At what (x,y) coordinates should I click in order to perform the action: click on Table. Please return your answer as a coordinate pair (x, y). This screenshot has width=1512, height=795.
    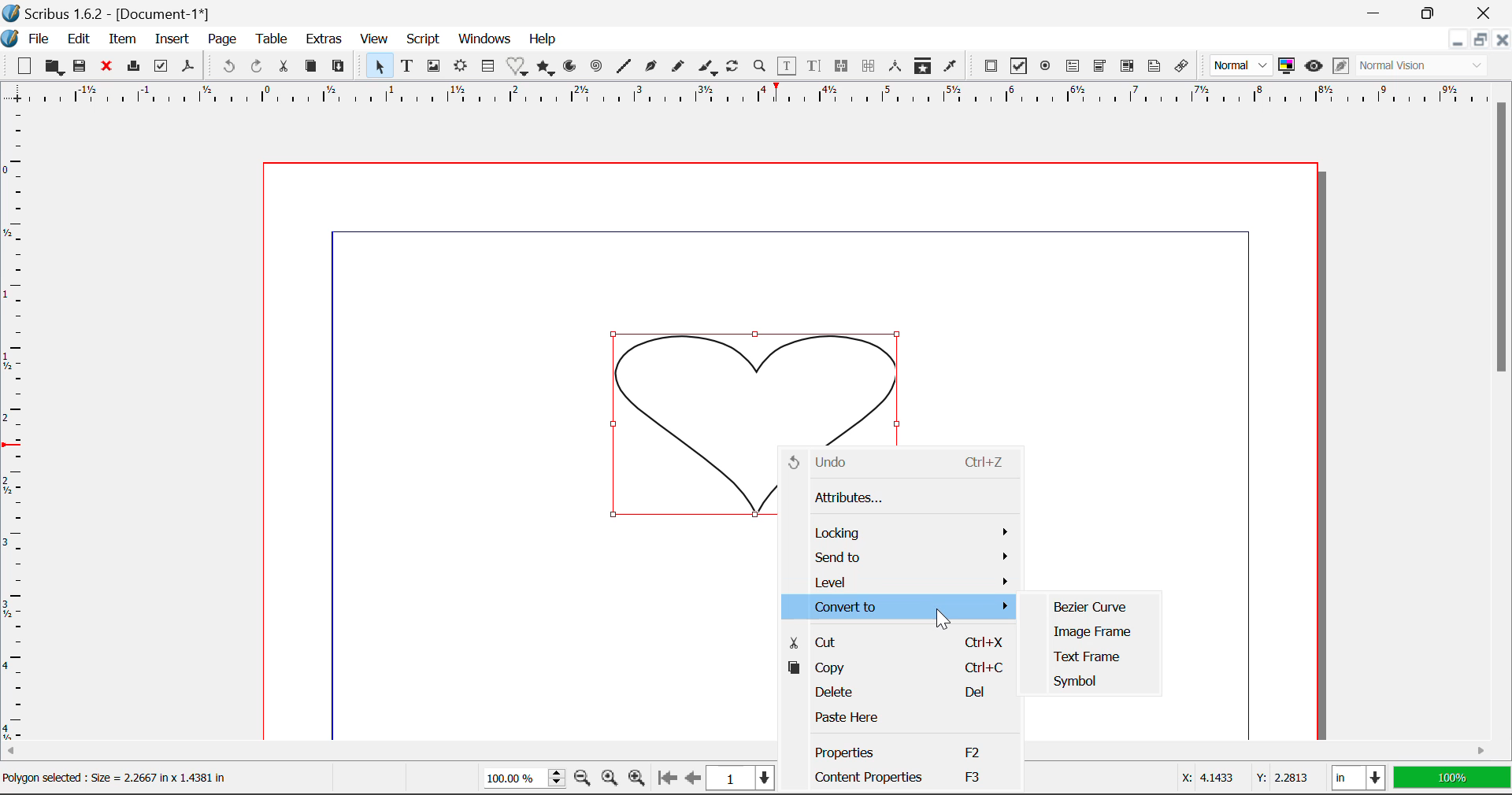
    Looking at the image, I should click on (274, 39).